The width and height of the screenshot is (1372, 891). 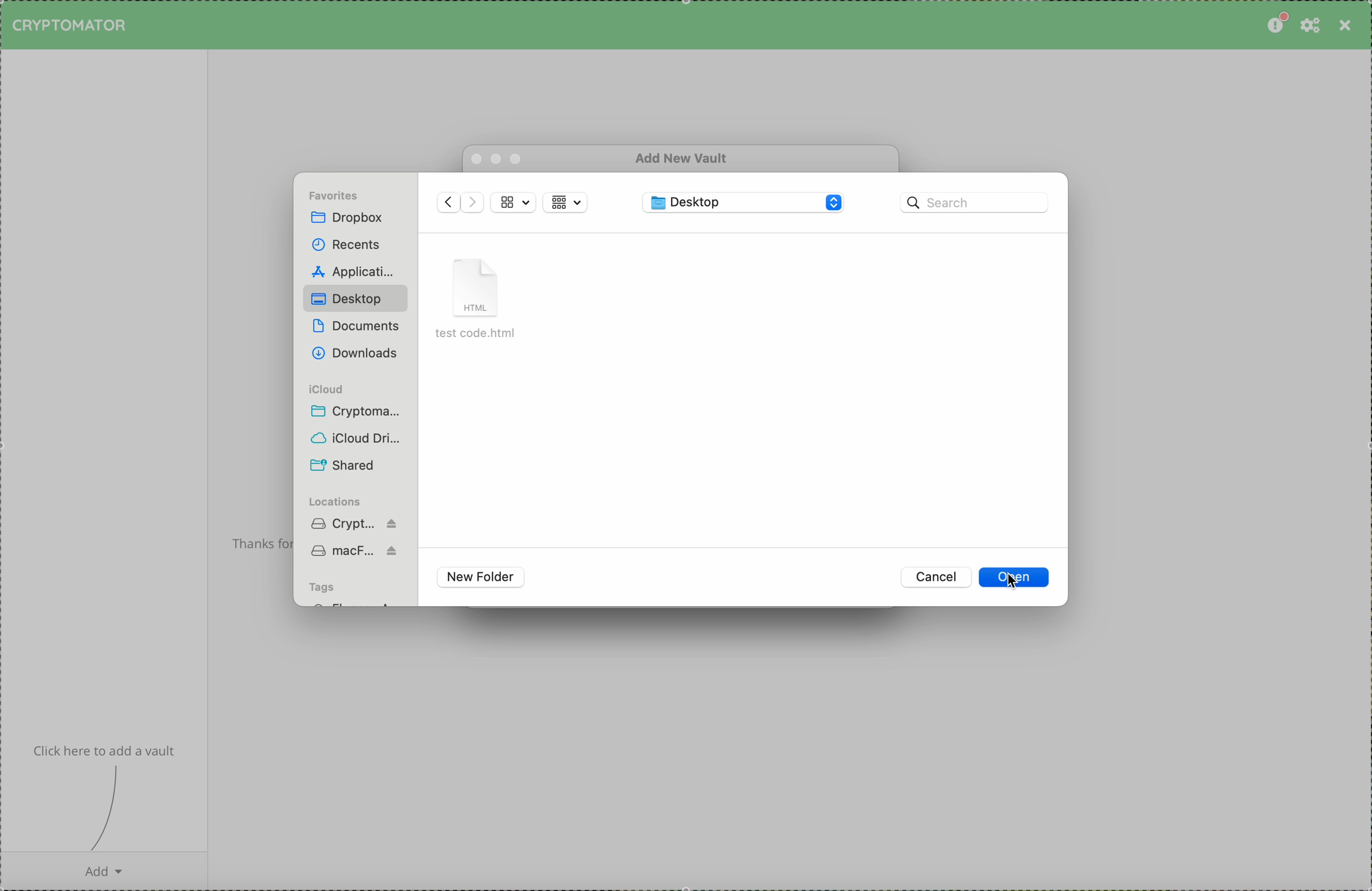 I want to click on mouse pointer, so click(x=1017, y=582).